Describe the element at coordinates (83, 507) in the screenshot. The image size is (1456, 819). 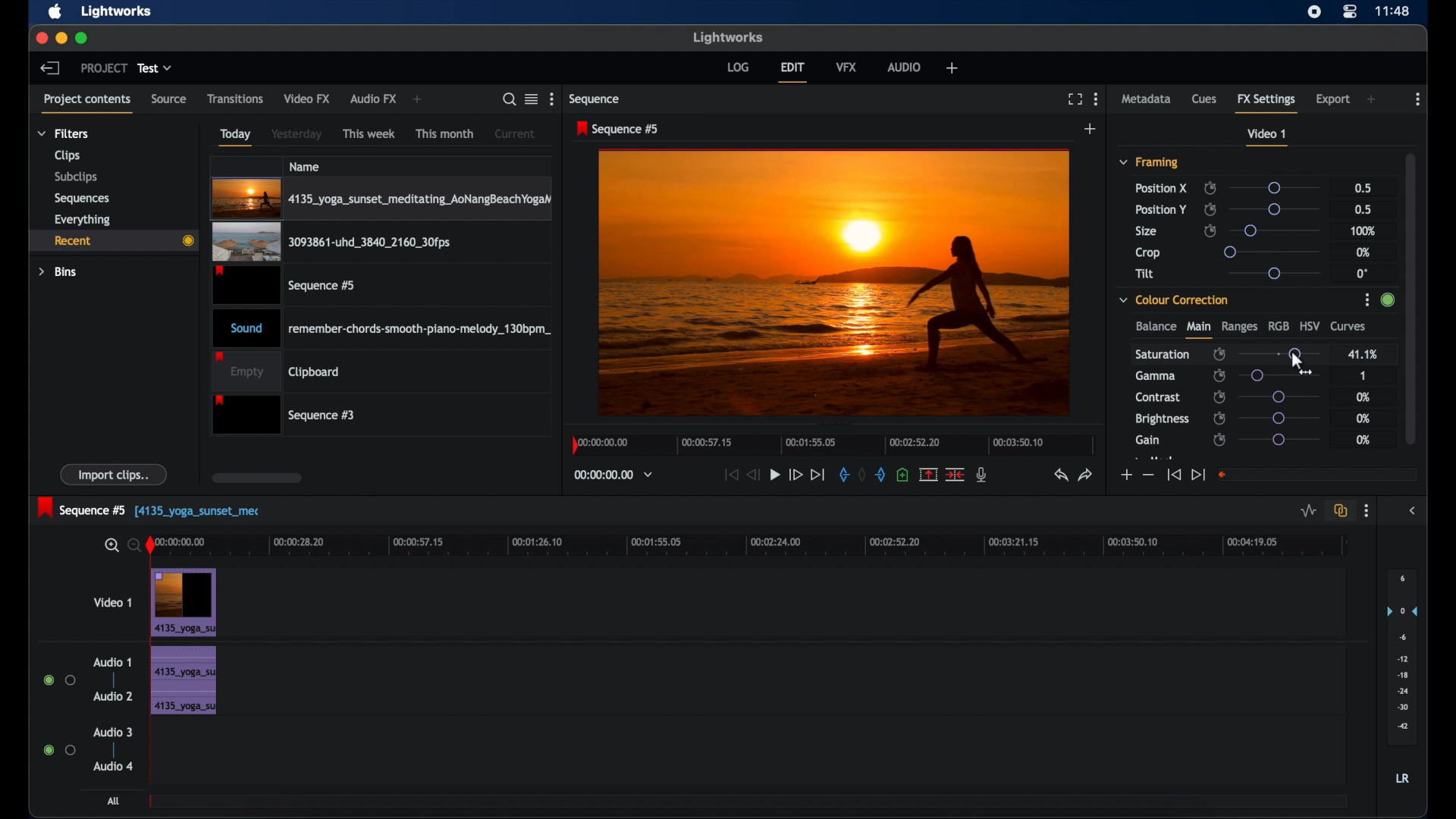
I see `sequence 5` at that location.